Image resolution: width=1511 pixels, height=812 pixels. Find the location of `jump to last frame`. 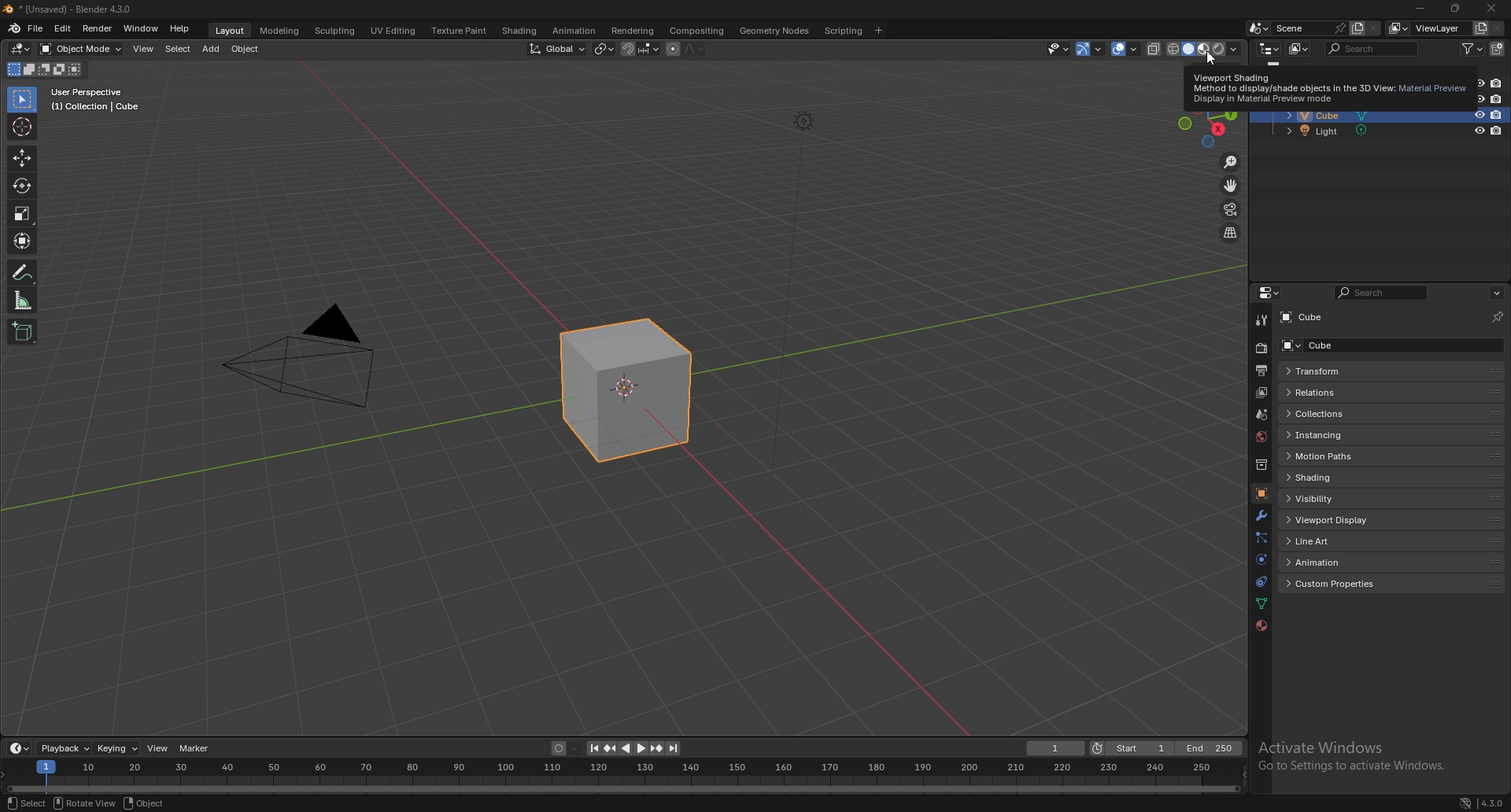

jump to last frame is located at coordinates (674, 749).